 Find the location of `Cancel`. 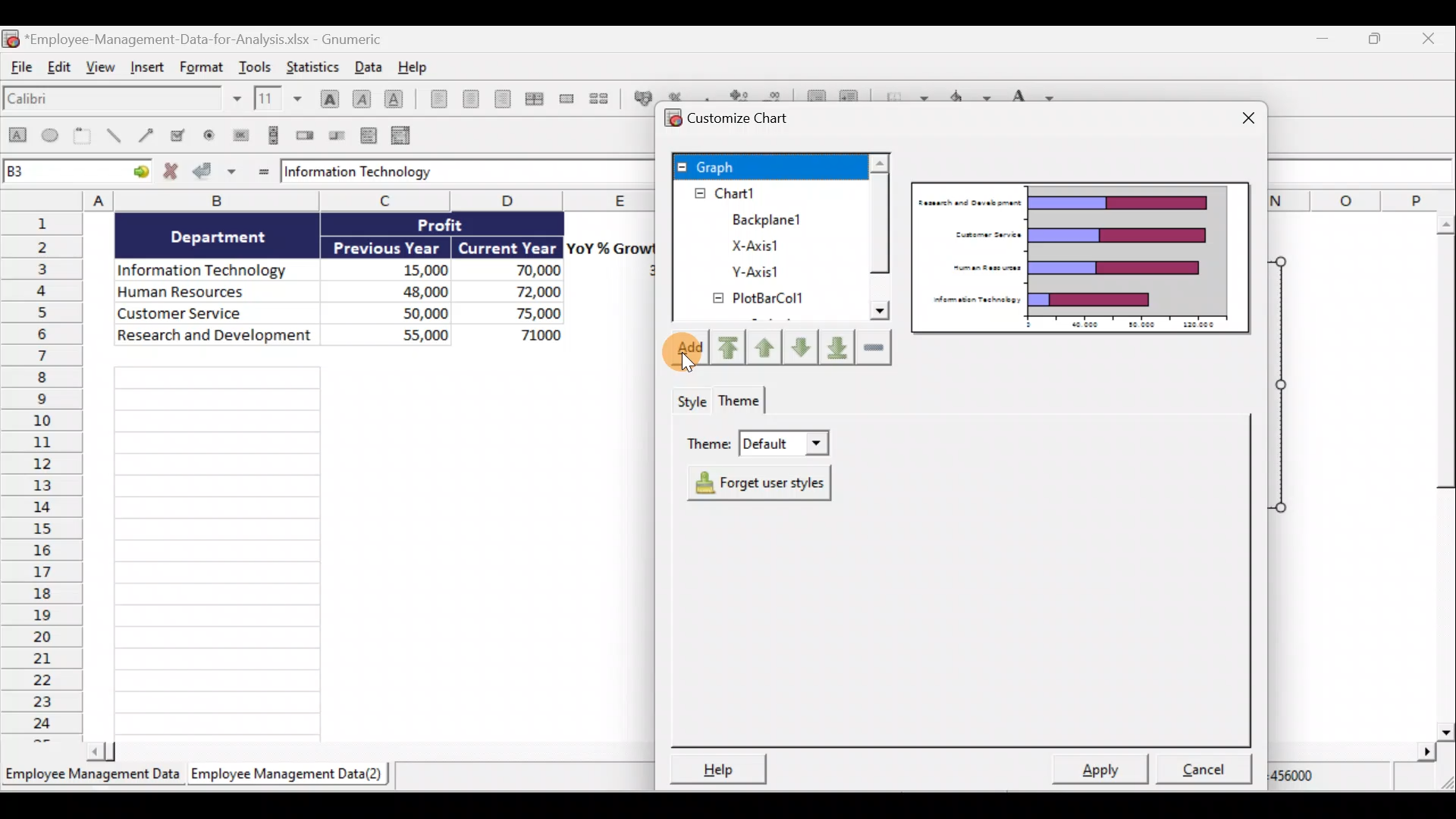

Cancel is located at coordinates (1198, 770).